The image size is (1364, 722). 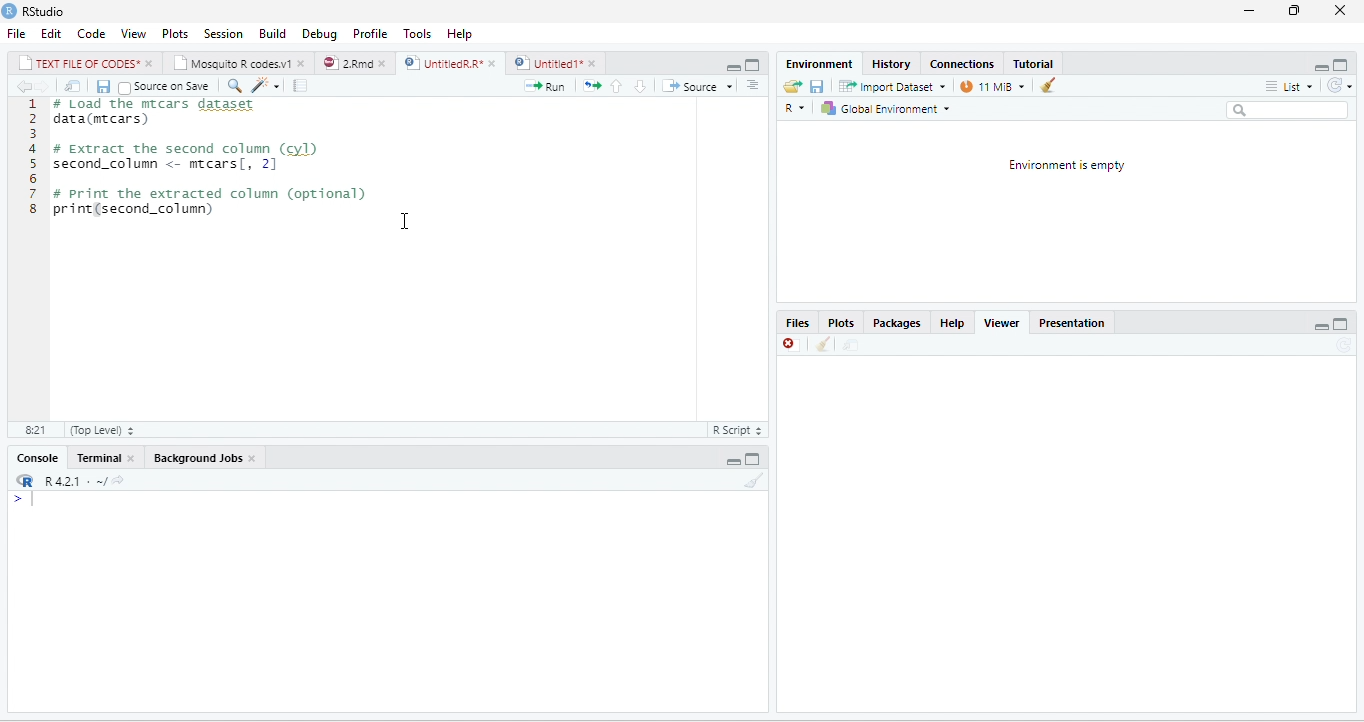 I want to click on compile report, so click(x=299, y=85).